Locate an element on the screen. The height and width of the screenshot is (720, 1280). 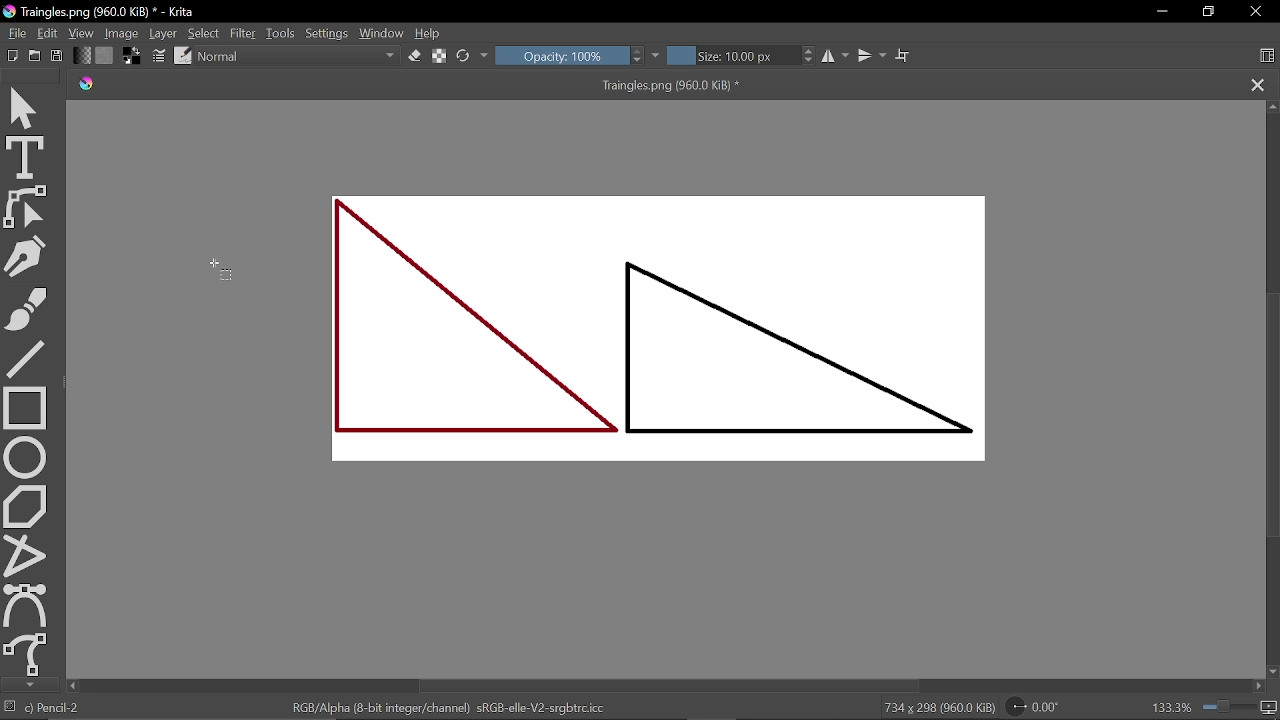
No selection is located at coordinates (12, 708).